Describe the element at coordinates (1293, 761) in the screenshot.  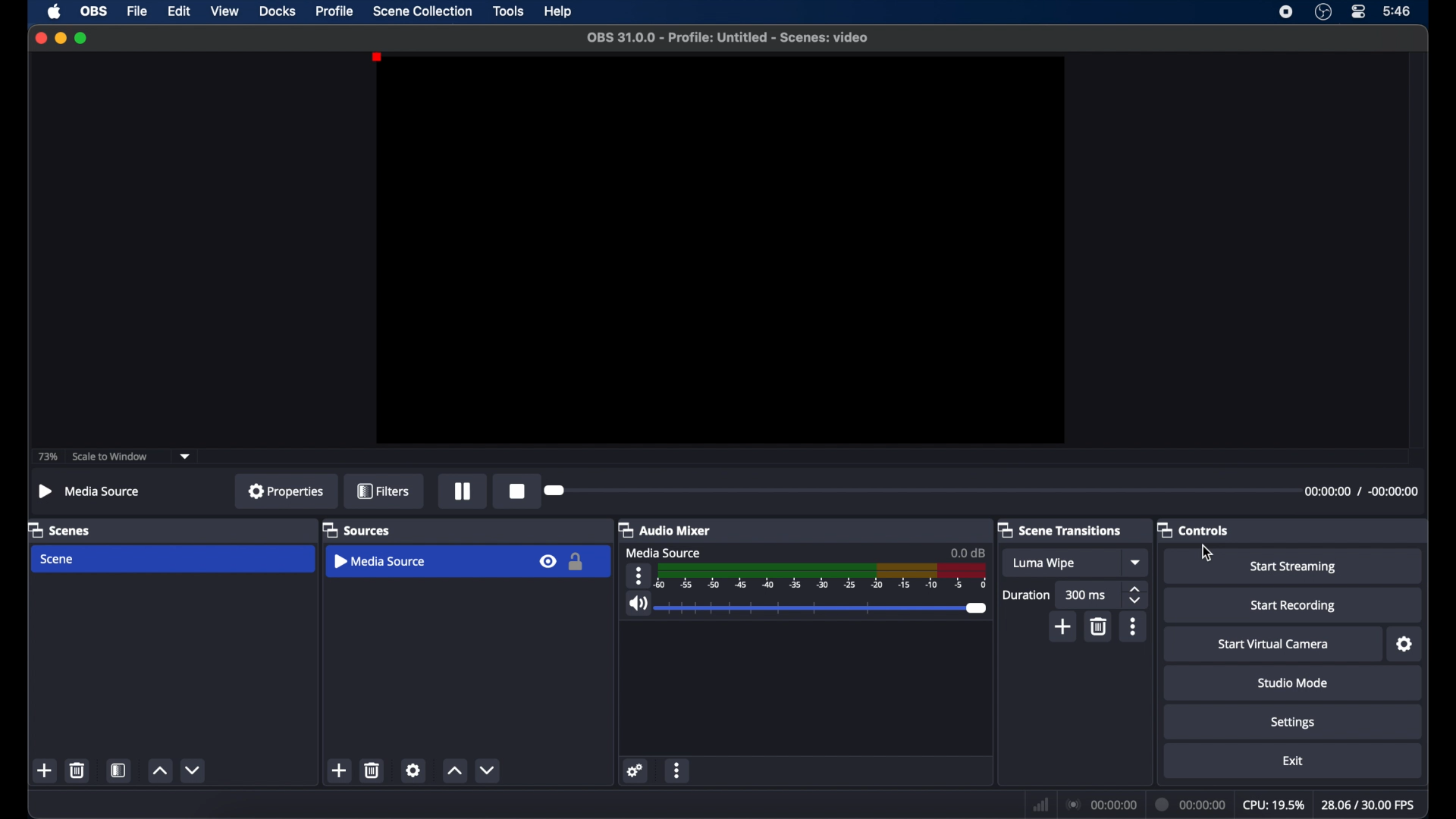
I see `exit` at that location.